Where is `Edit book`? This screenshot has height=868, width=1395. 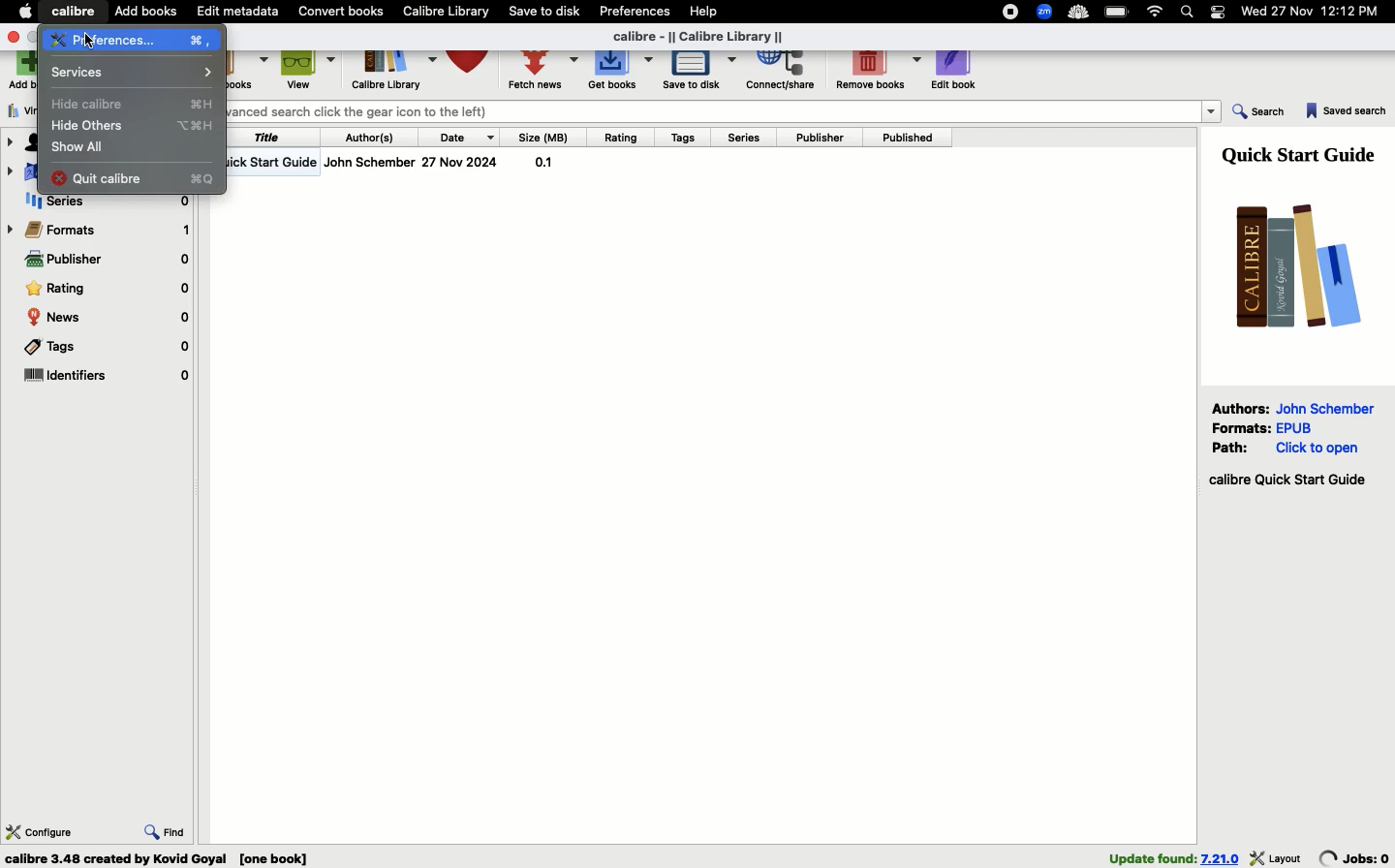 Edit book is located at coordinates (962, 71).